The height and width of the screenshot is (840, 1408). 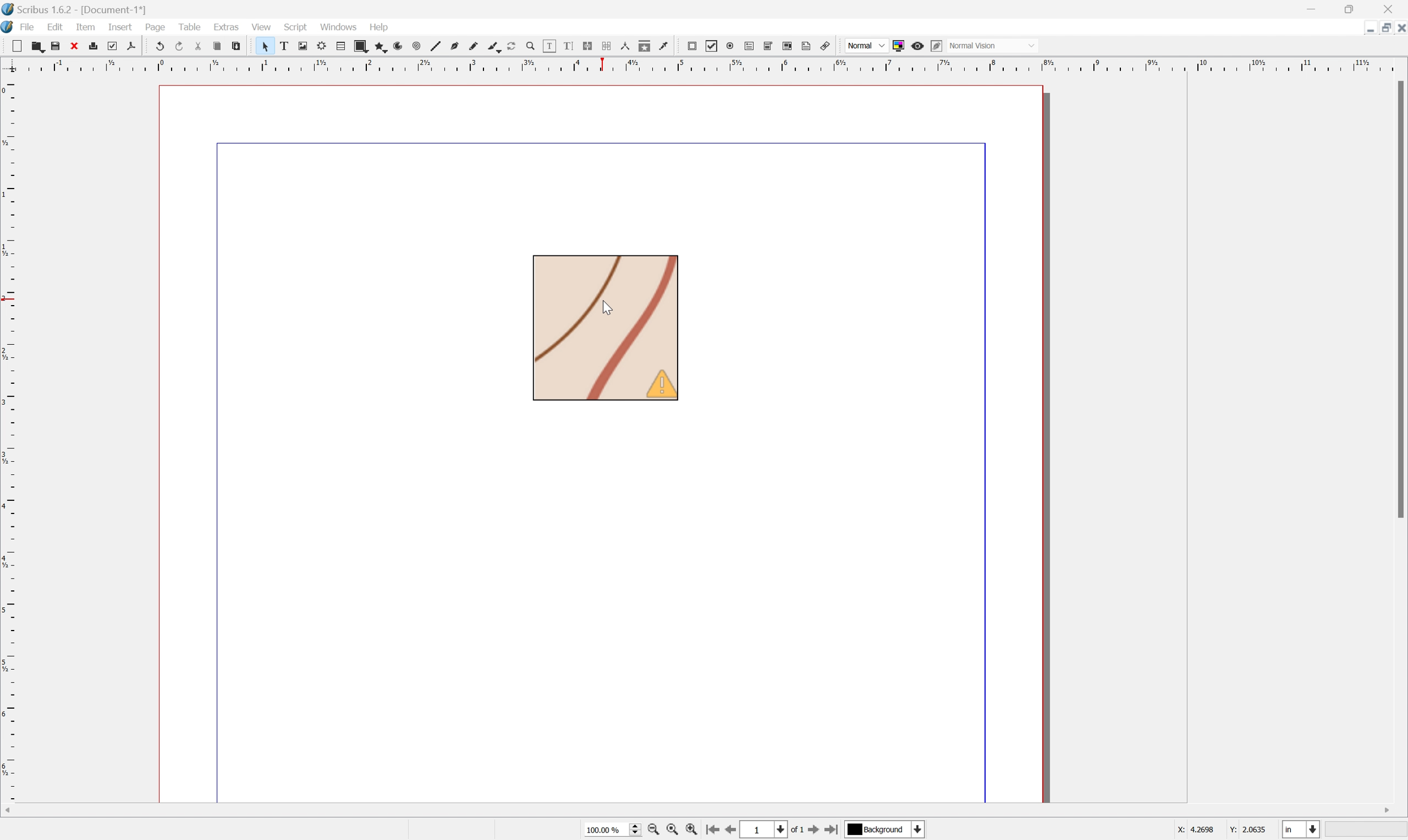 I want to click on Minimize, so click(x=1311, y=10).